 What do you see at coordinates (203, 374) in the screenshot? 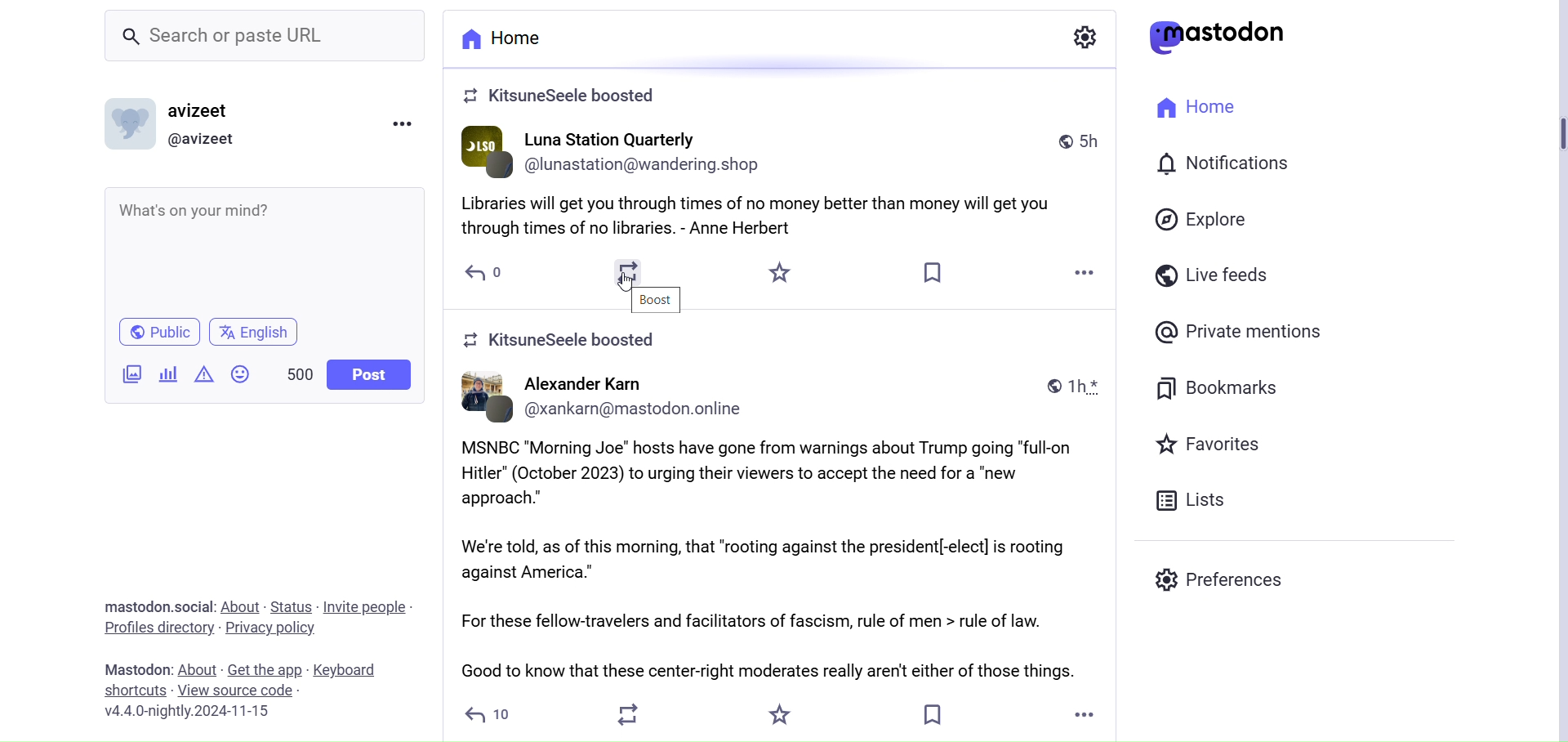
I see `Add Content Warning` at bounding box center [203, 374].